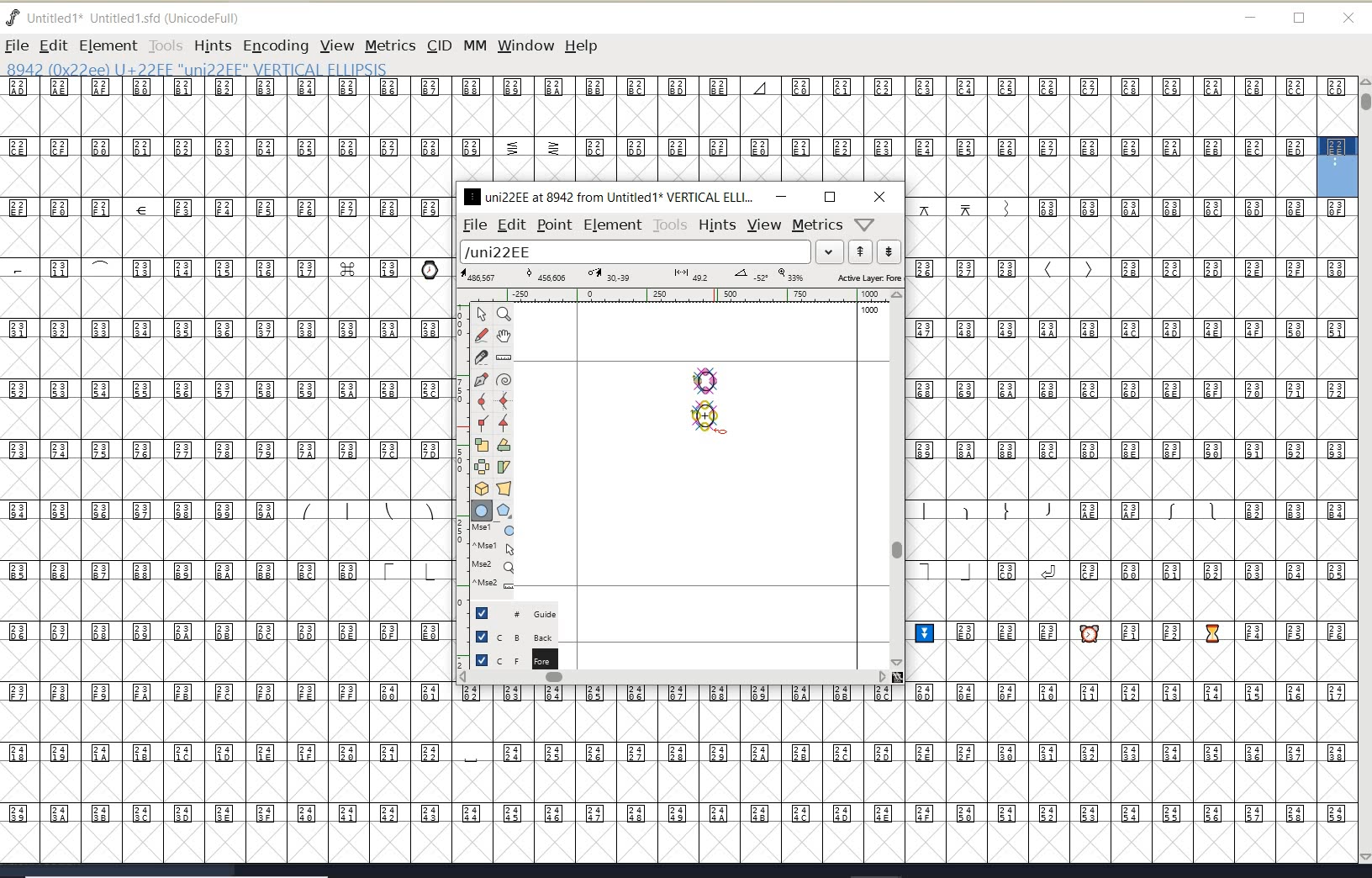  I want to click on GLYPHY CHARACTERS & NUMBERS, so click(657, 130).